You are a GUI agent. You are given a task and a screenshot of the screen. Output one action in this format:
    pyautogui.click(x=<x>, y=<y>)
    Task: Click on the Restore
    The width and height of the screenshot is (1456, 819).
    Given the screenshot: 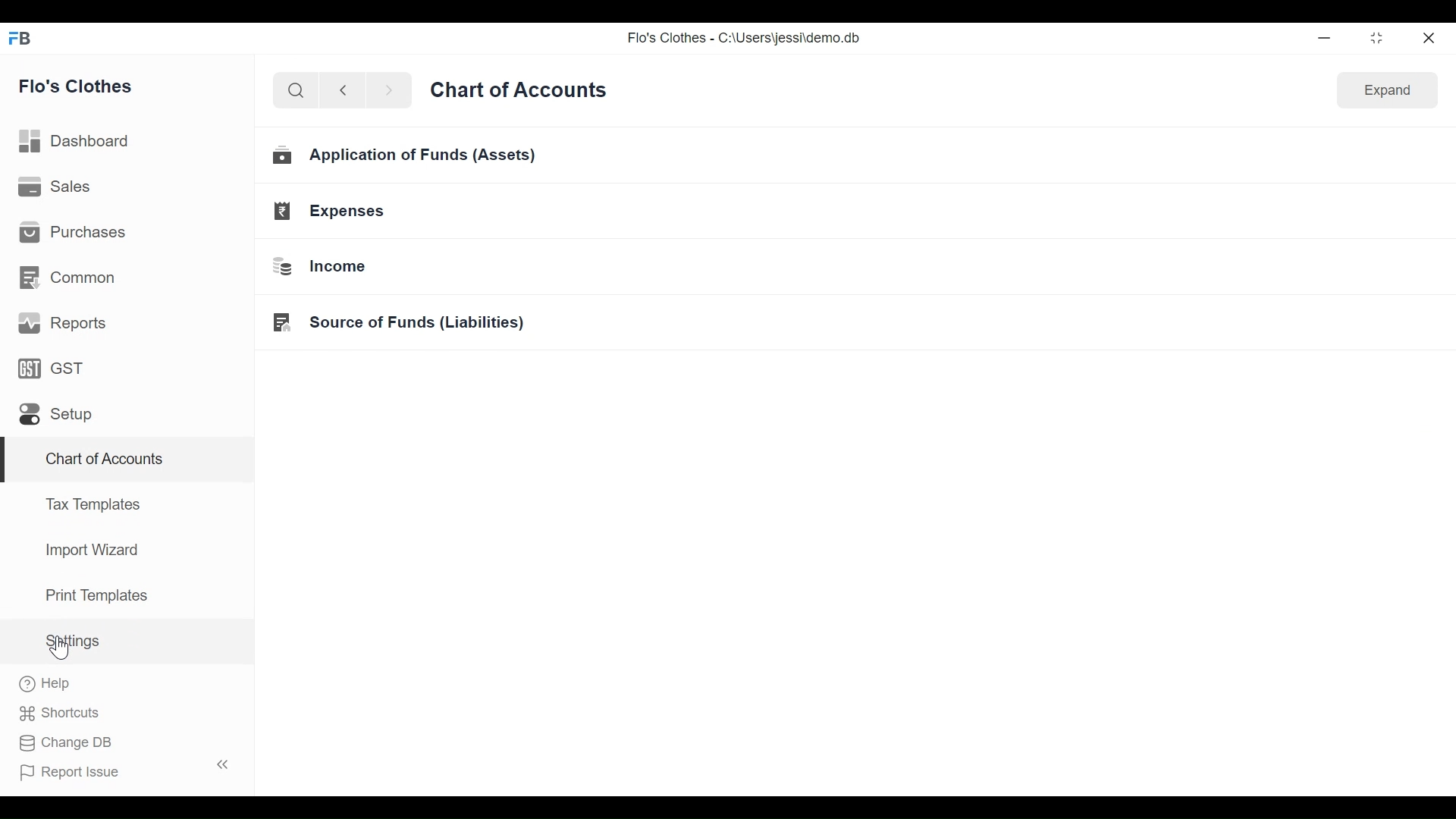 What is the action you would take?
    pyautogui.click(x=1376, y=37)
    